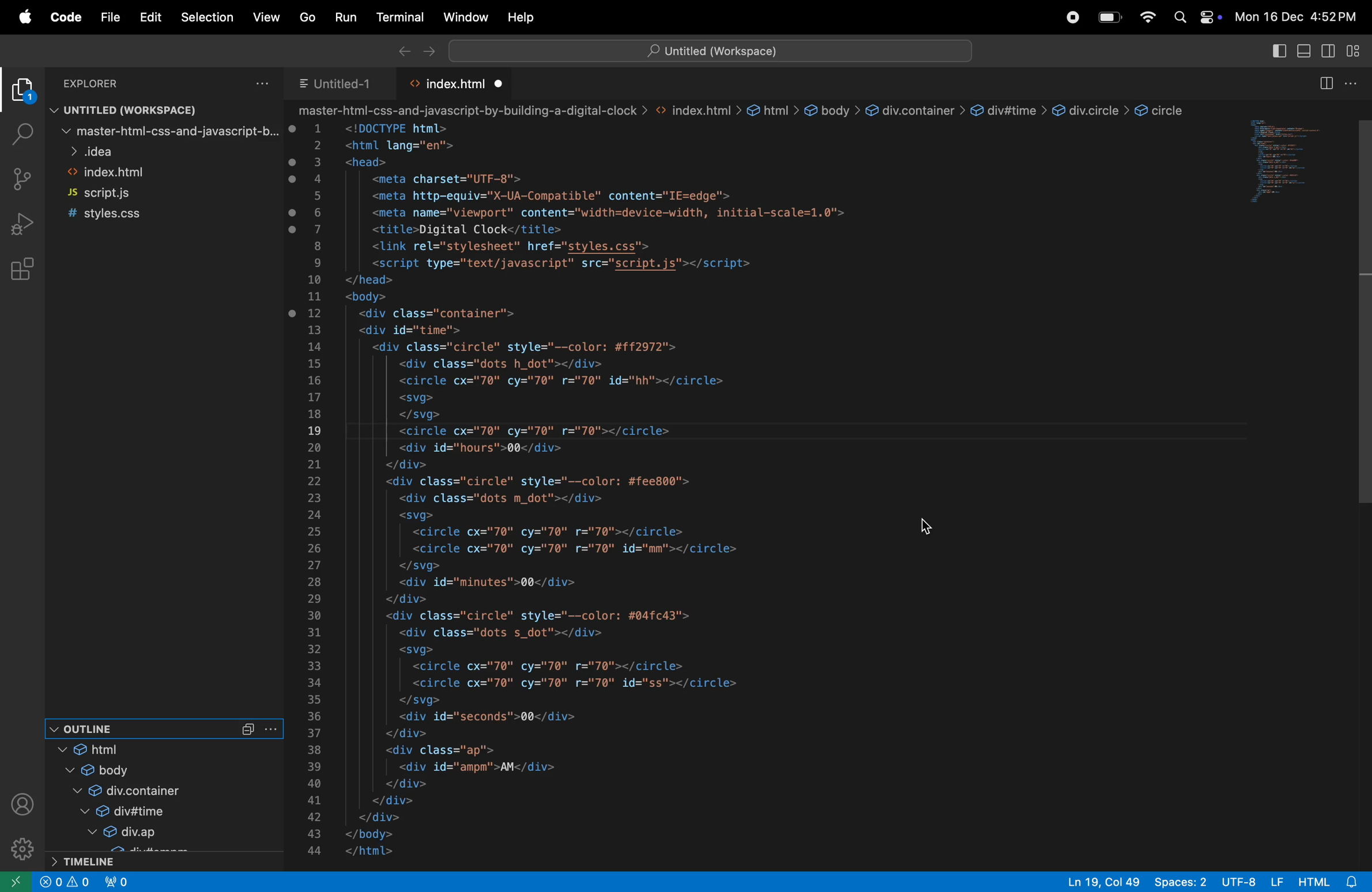 The width and height of the screenshot is (1372, 892). What do you see at coordinates (1359, 49) in the screenshot?
I see `customise layout` at bounding box center [1359, 49].